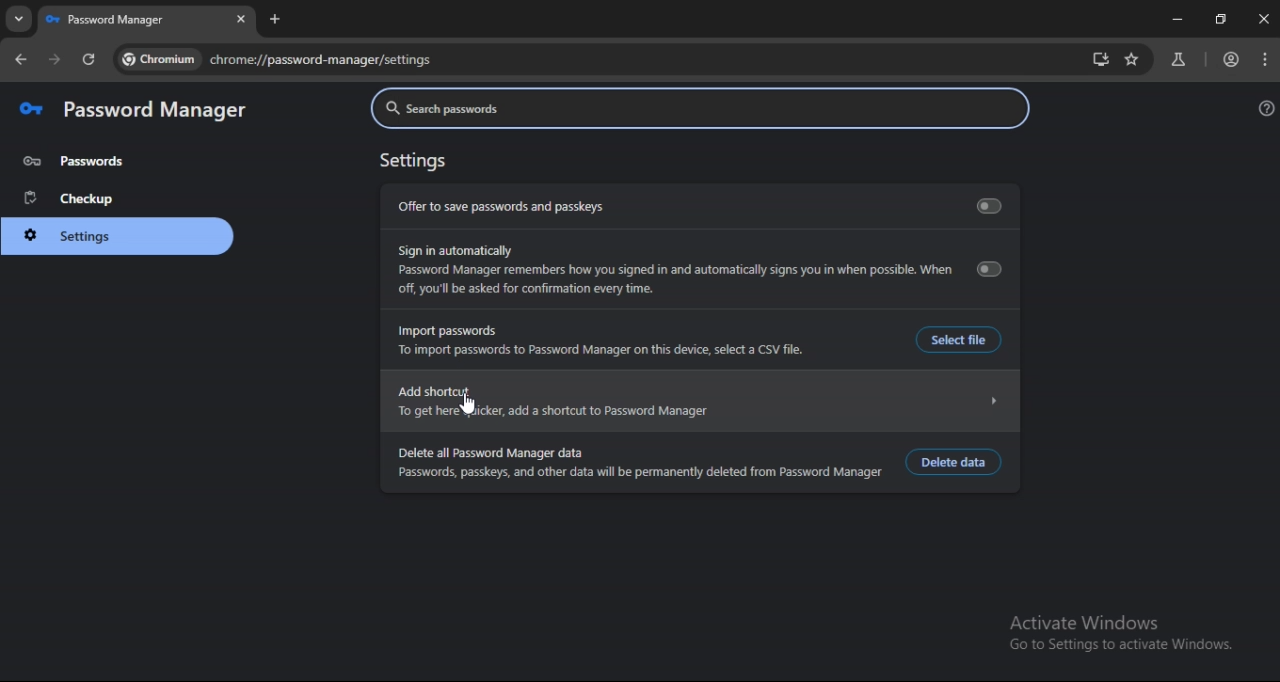 This screenshot has width=1280, height=682. Describe the element at coordinates (952, 339) in the screenshot. I see `Select file` at that location.